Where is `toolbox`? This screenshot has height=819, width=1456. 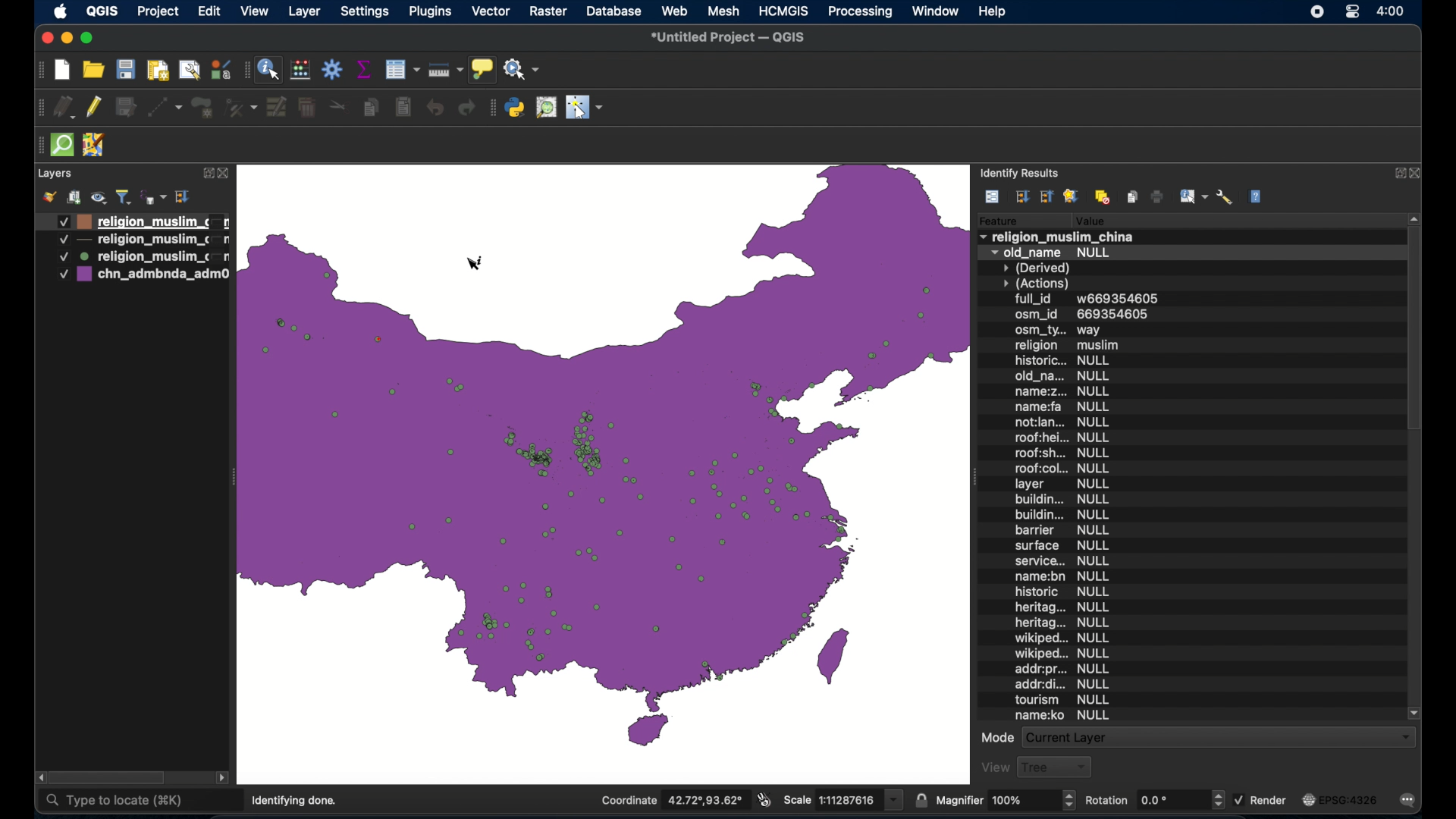
toolbox is located at coordinates (334, 71).